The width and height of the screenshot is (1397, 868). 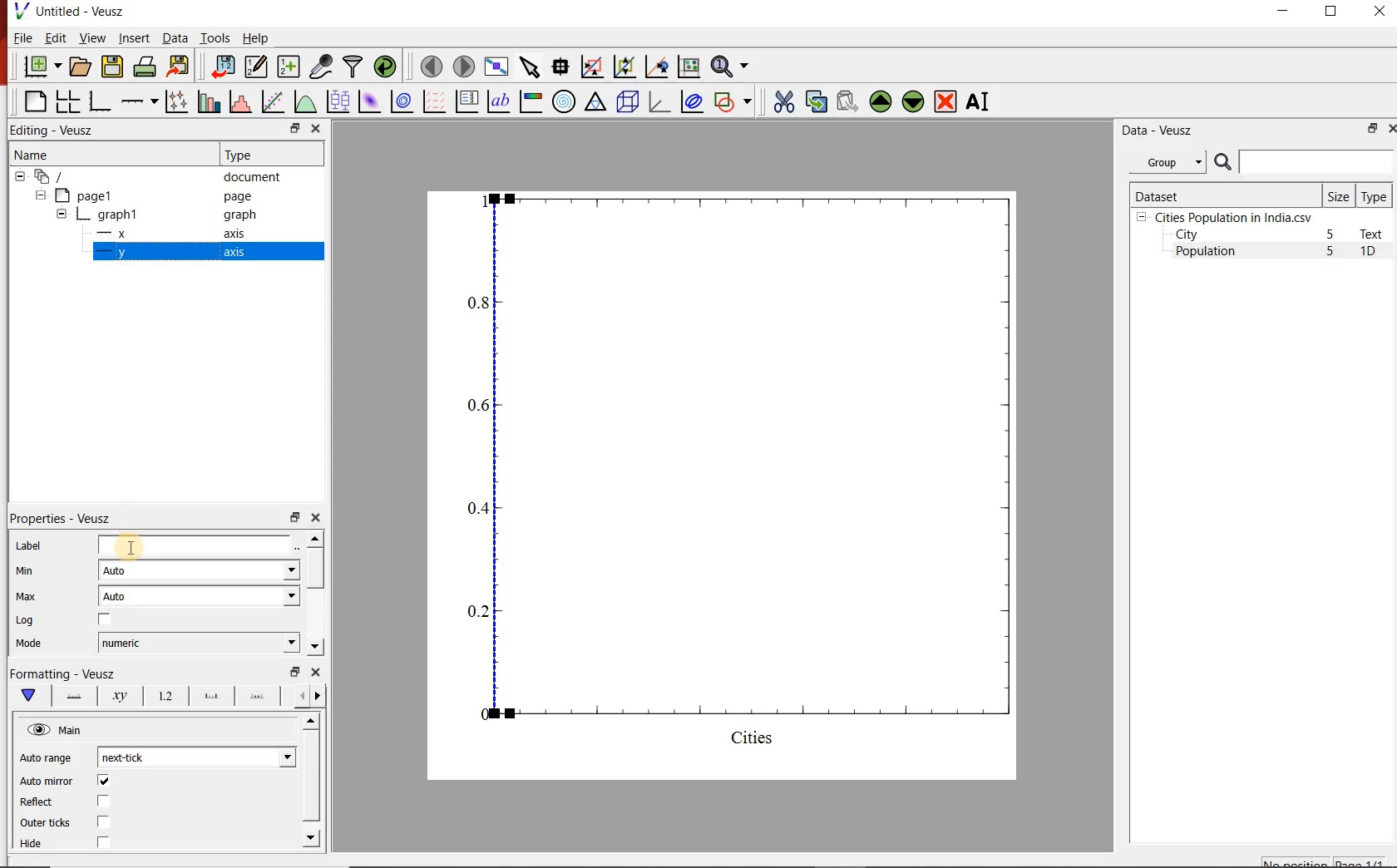 What do you see at coordinates (462, 66) in the screenshot?
I see `move to the next page` at bounding box center [462, 66].